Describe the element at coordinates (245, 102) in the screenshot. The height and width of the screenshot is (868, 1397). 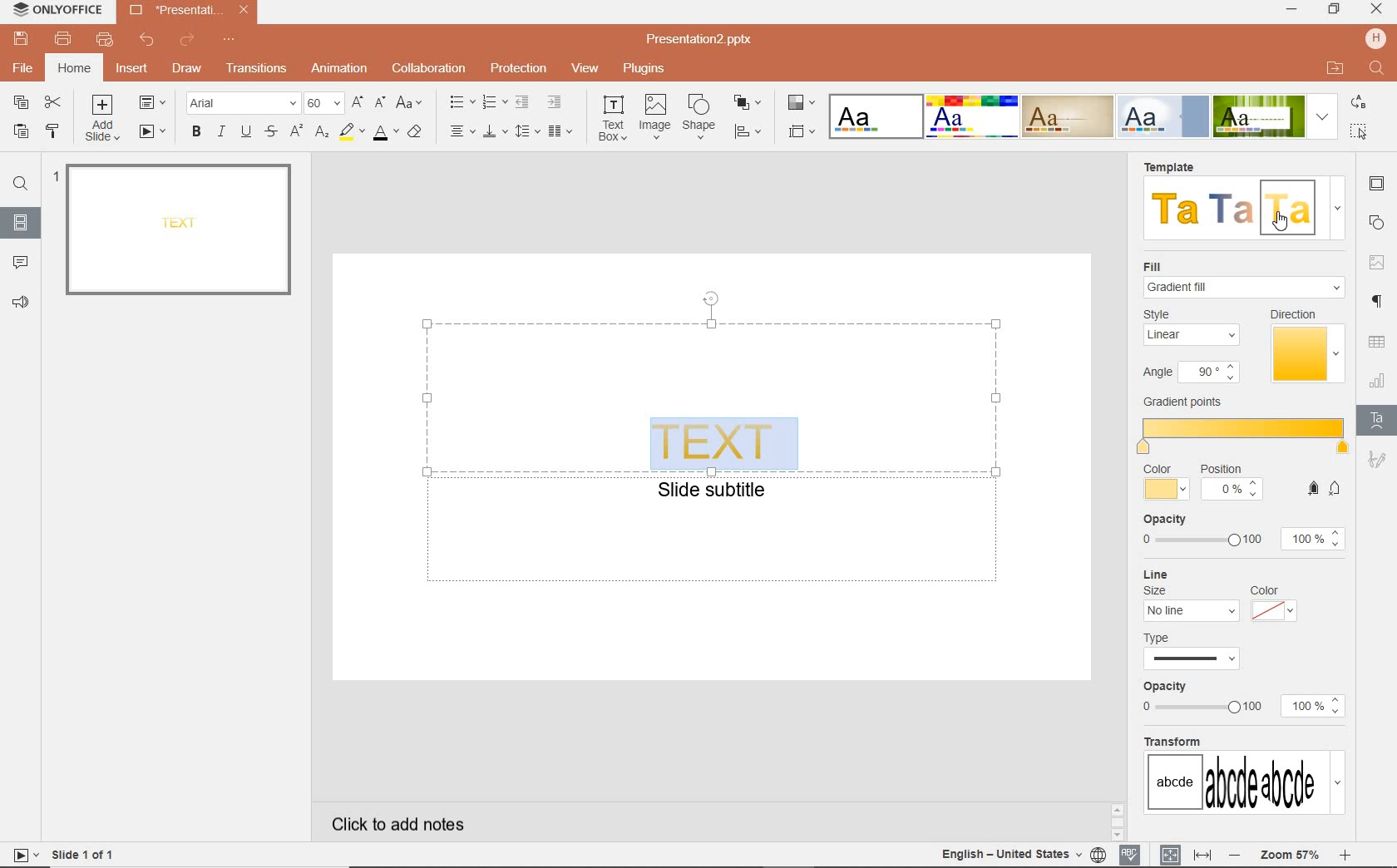
I see `FONT` at that location.